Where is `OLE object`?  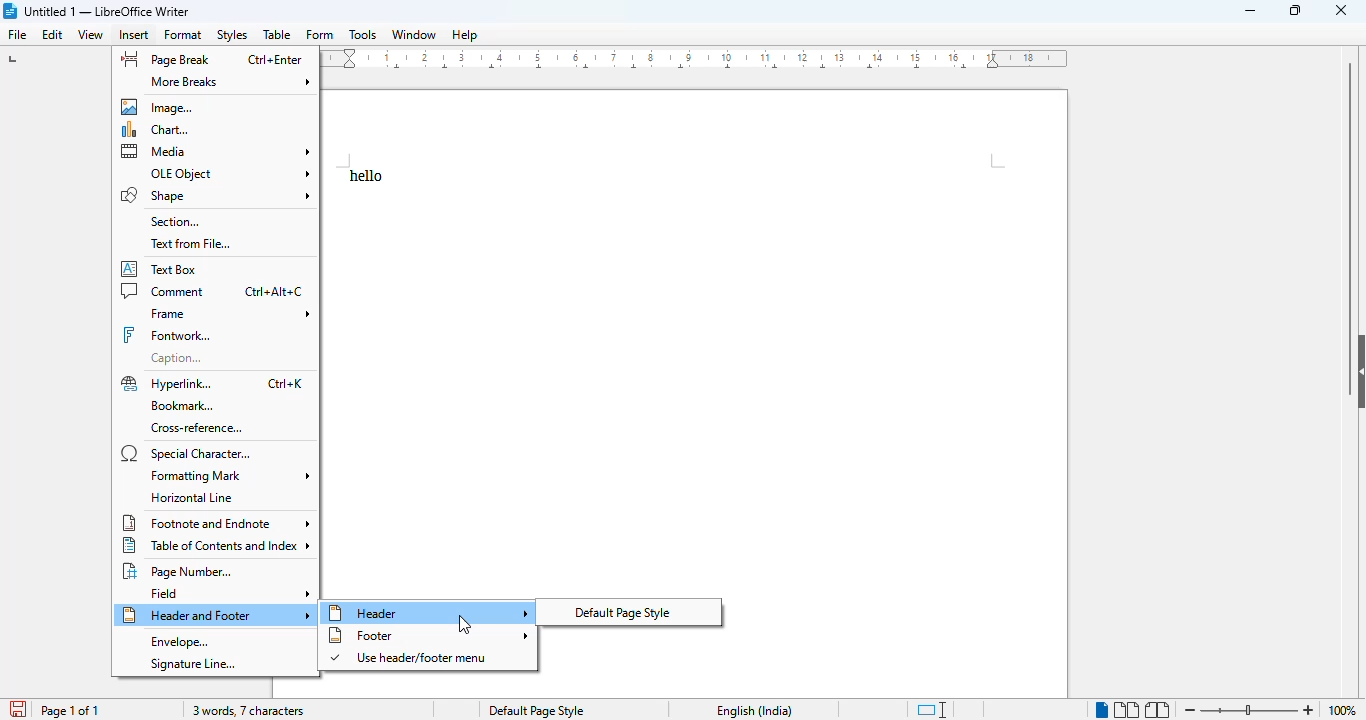
OLE object is located at coordinates (229, 172).